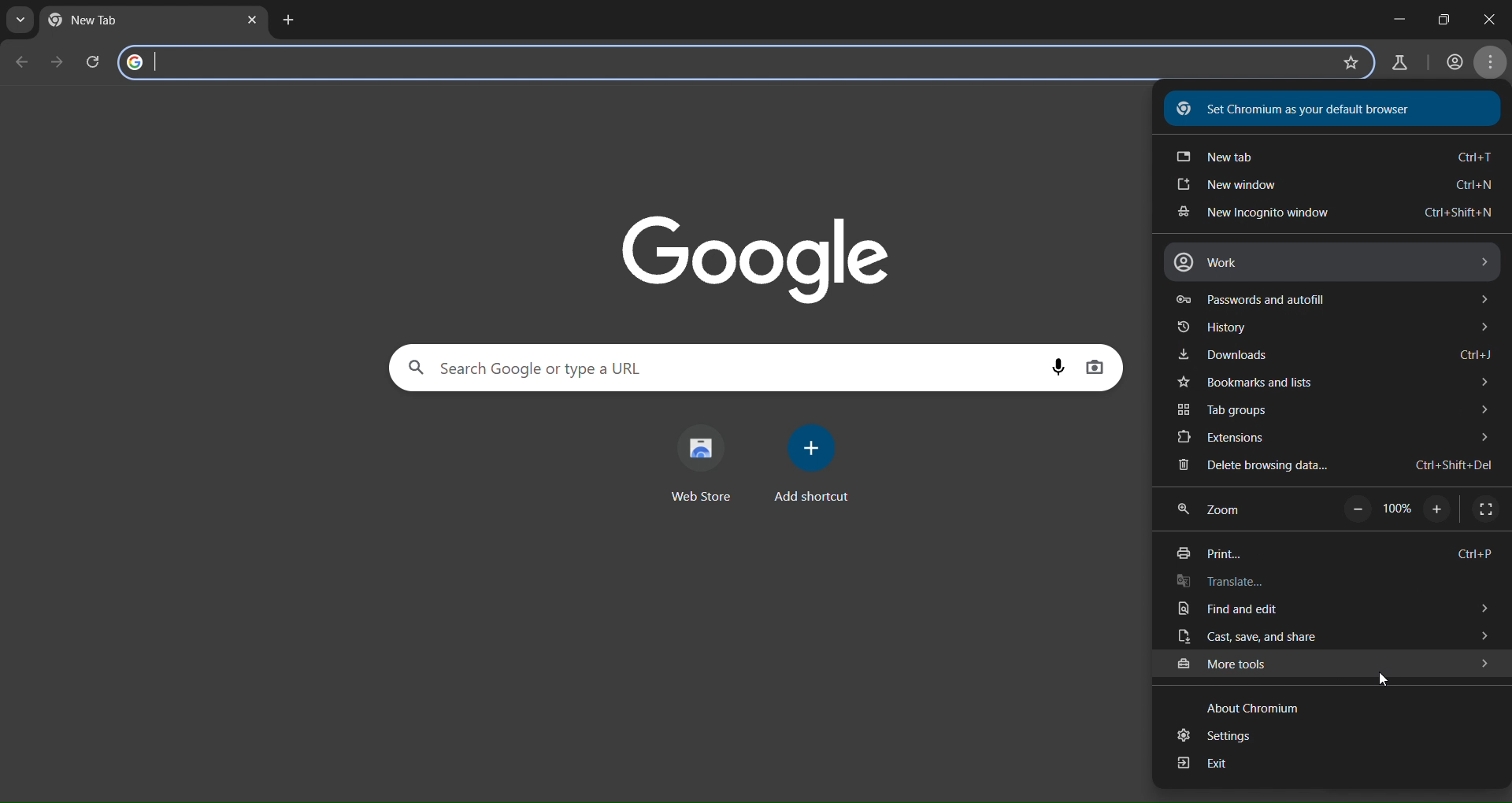 The width and height of the screenshot is (1512, 803). I want to click on current tab, so click(91, 20).